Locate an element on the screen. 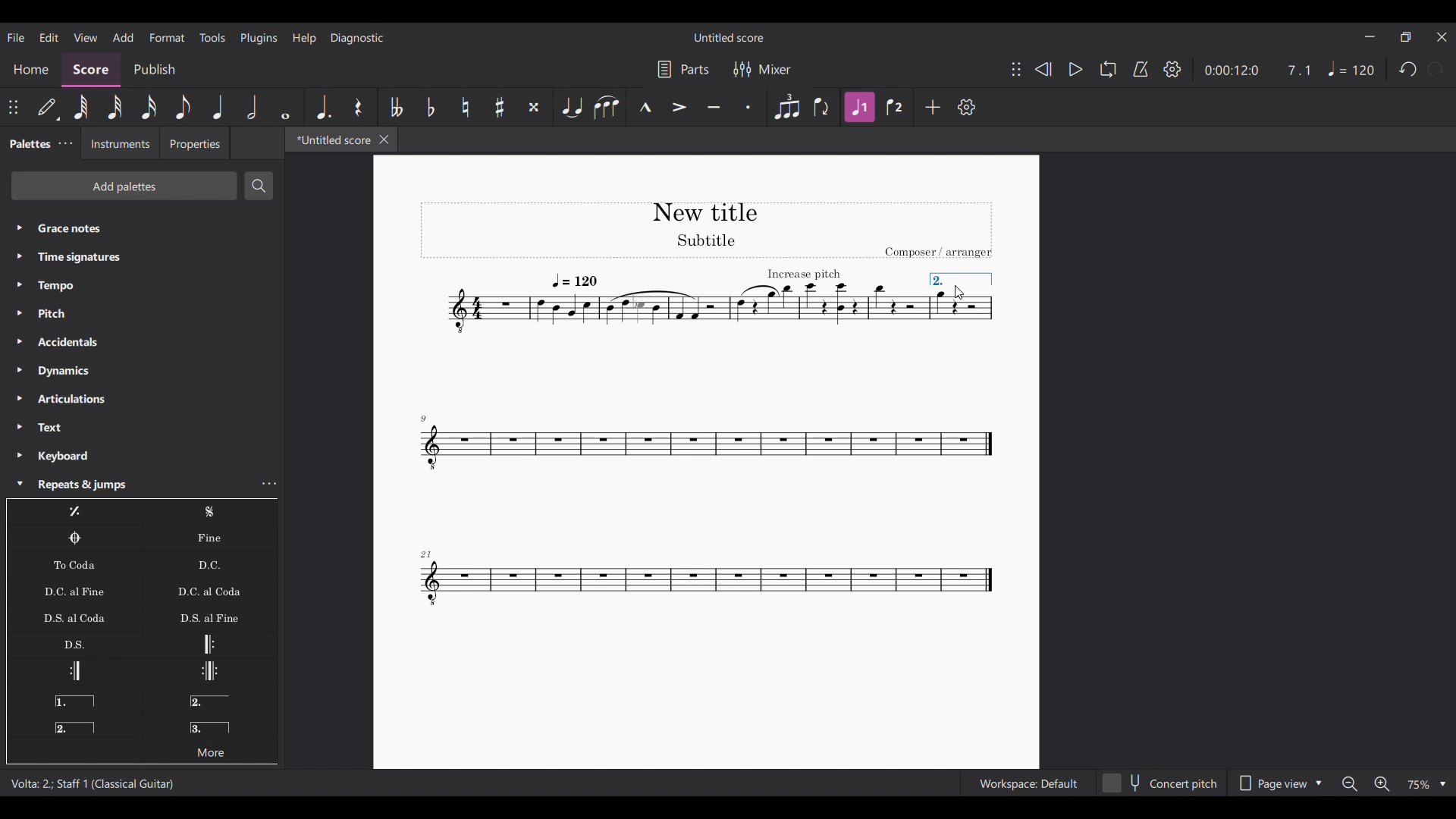 The height and width of the screenshot is (819, 1456). Add menu is located at coordinates (124, 37).